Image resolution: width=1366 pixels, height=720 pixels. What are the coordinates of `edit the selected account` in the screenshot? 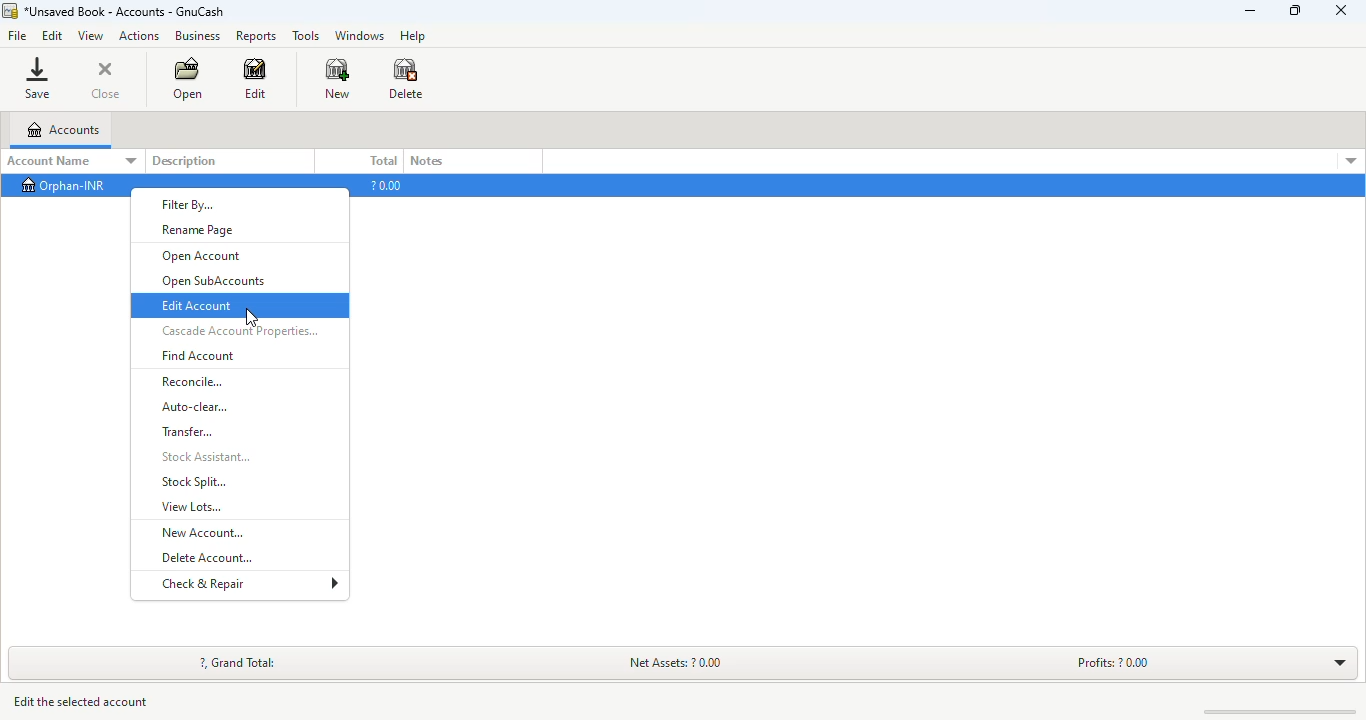 It's located at (82, 702).